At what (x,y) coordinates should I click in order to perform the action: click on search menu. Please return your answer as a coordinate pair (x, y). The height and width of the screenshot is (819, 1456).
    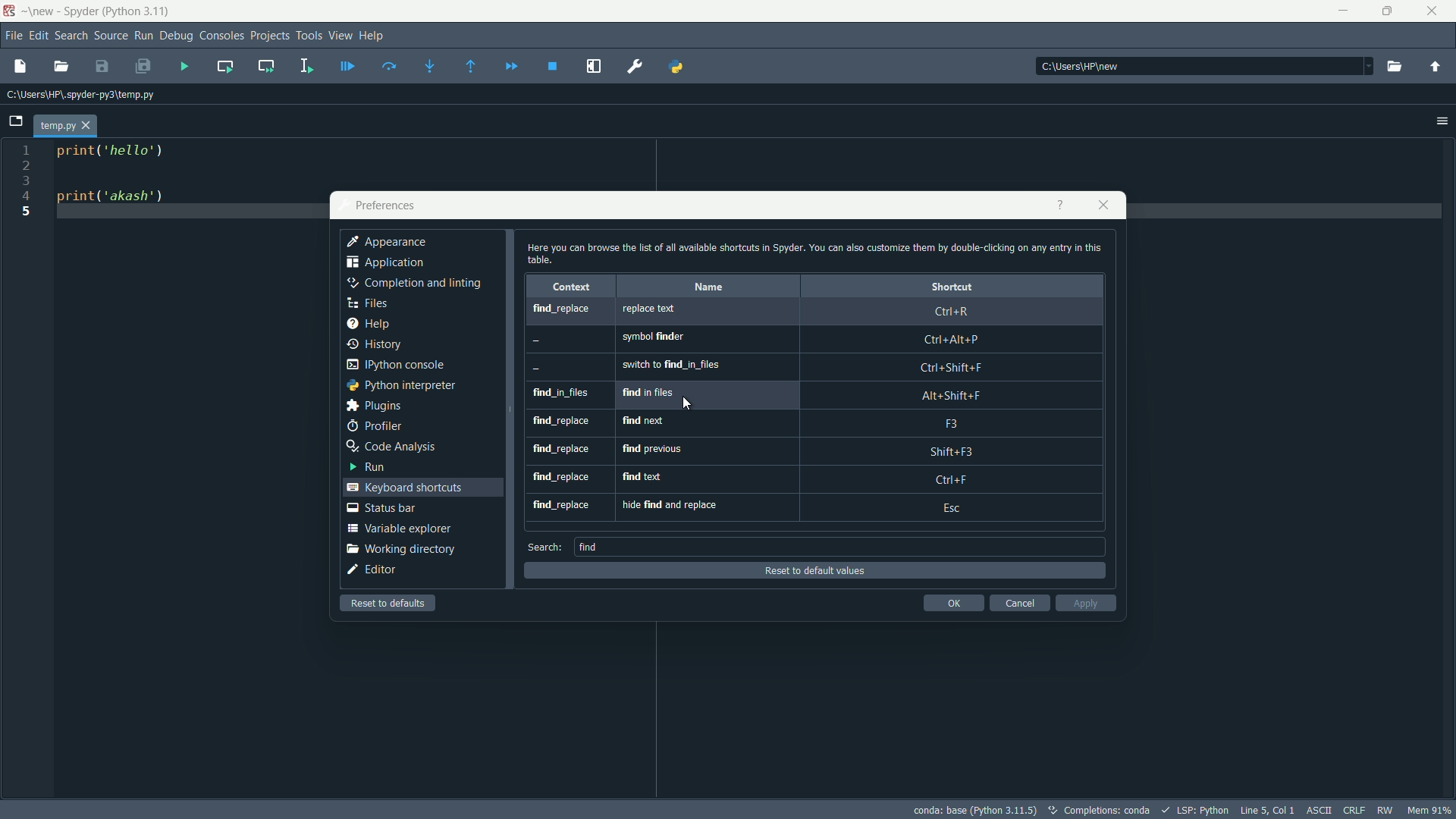
    Looking at the image, I should click on (73, 35).